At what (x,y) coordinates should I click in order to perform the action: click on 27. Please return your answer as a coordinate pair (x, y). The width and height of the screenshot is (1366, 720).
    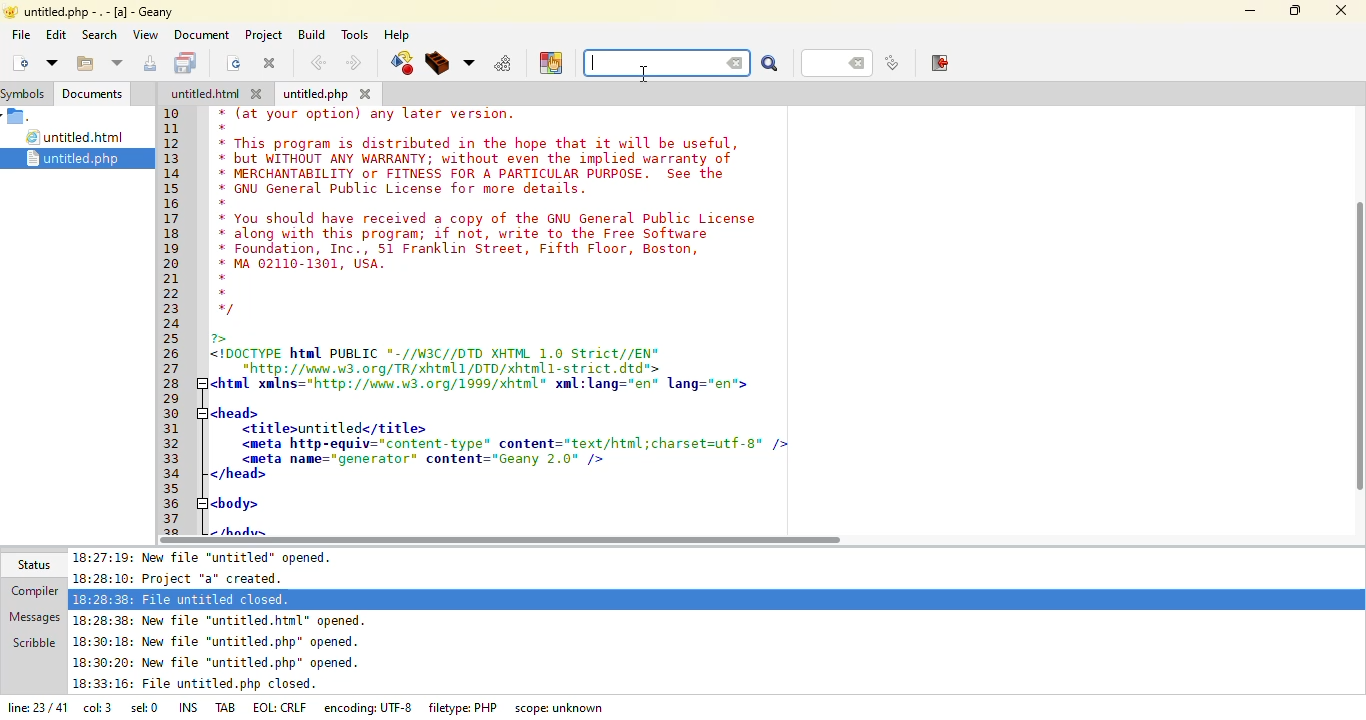
    Looking at the image, I should click on (174, 368).